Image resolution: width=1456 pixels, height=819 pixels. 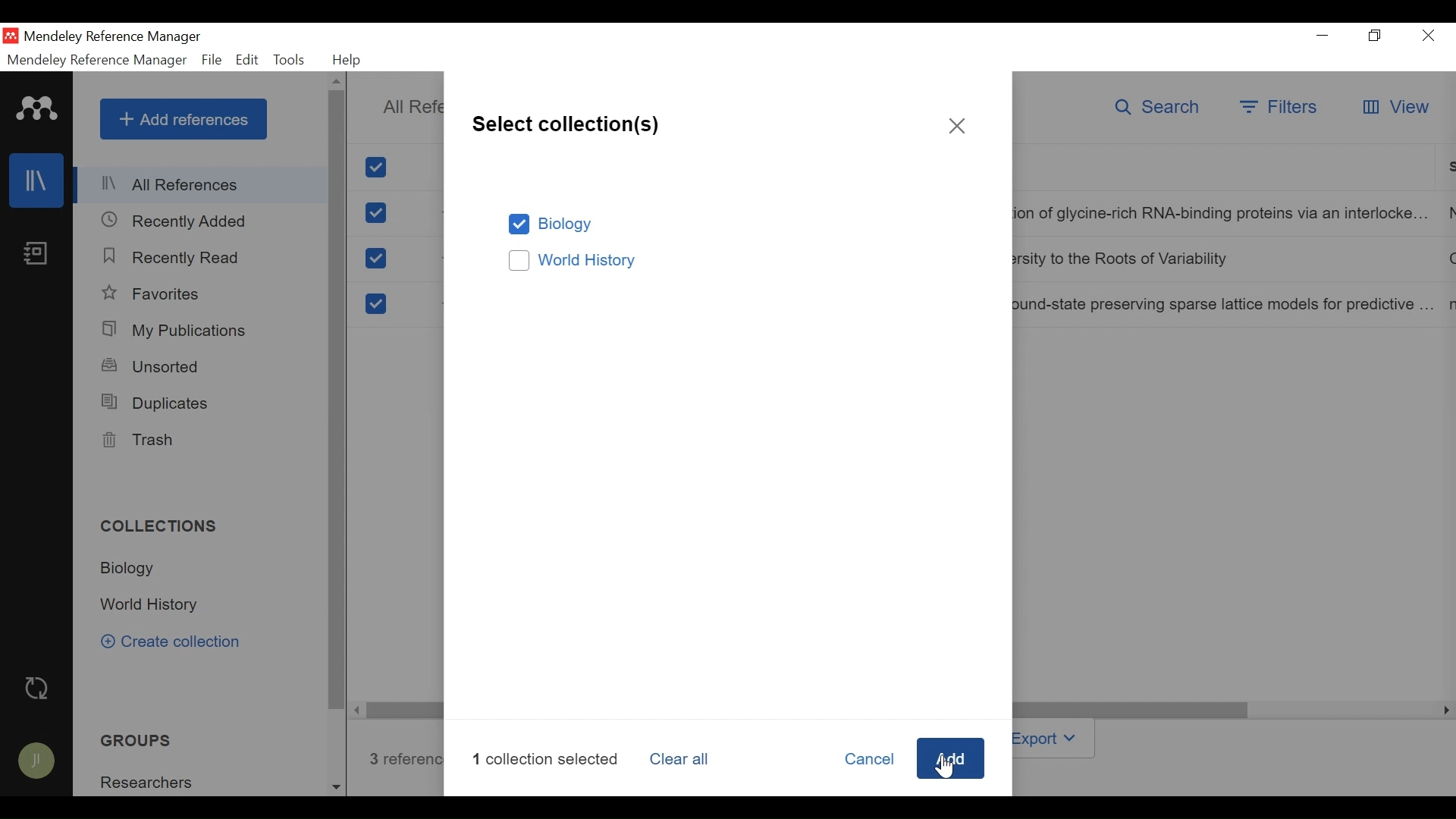 I want to click on Scroll Right, so click(x=358, y=710).